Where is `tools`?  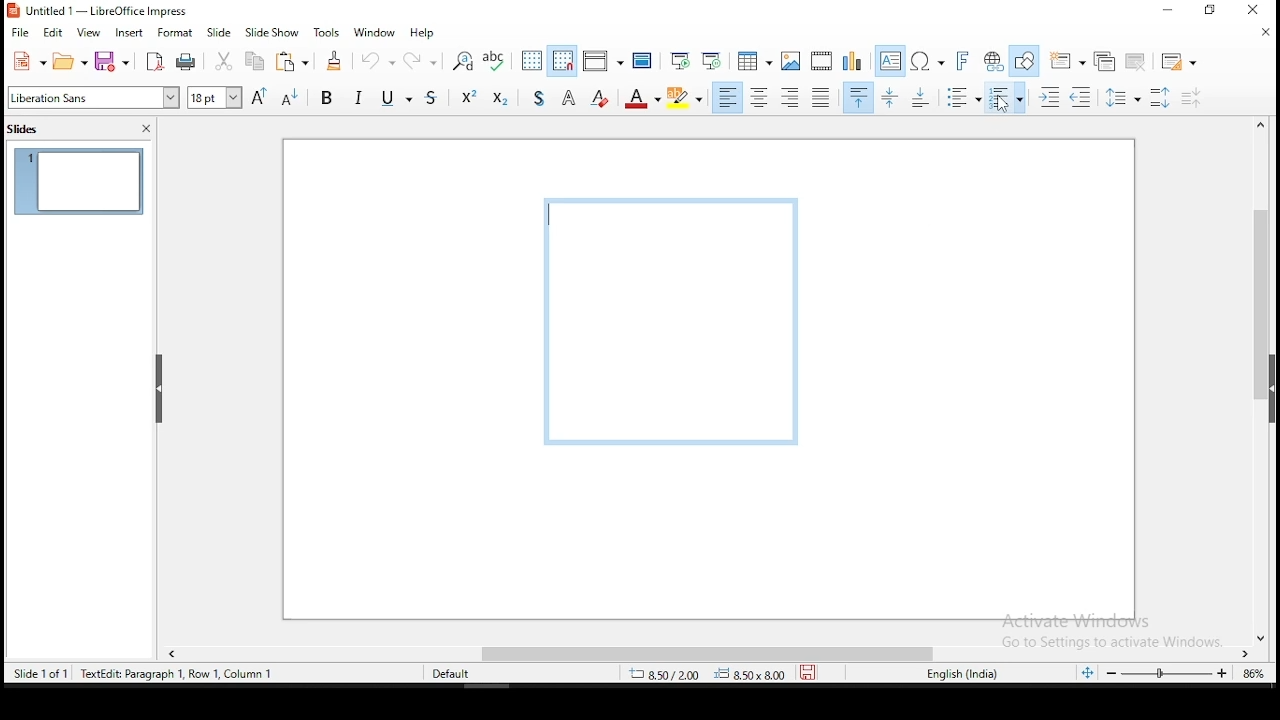
tools is located at coordinates (323, 32).